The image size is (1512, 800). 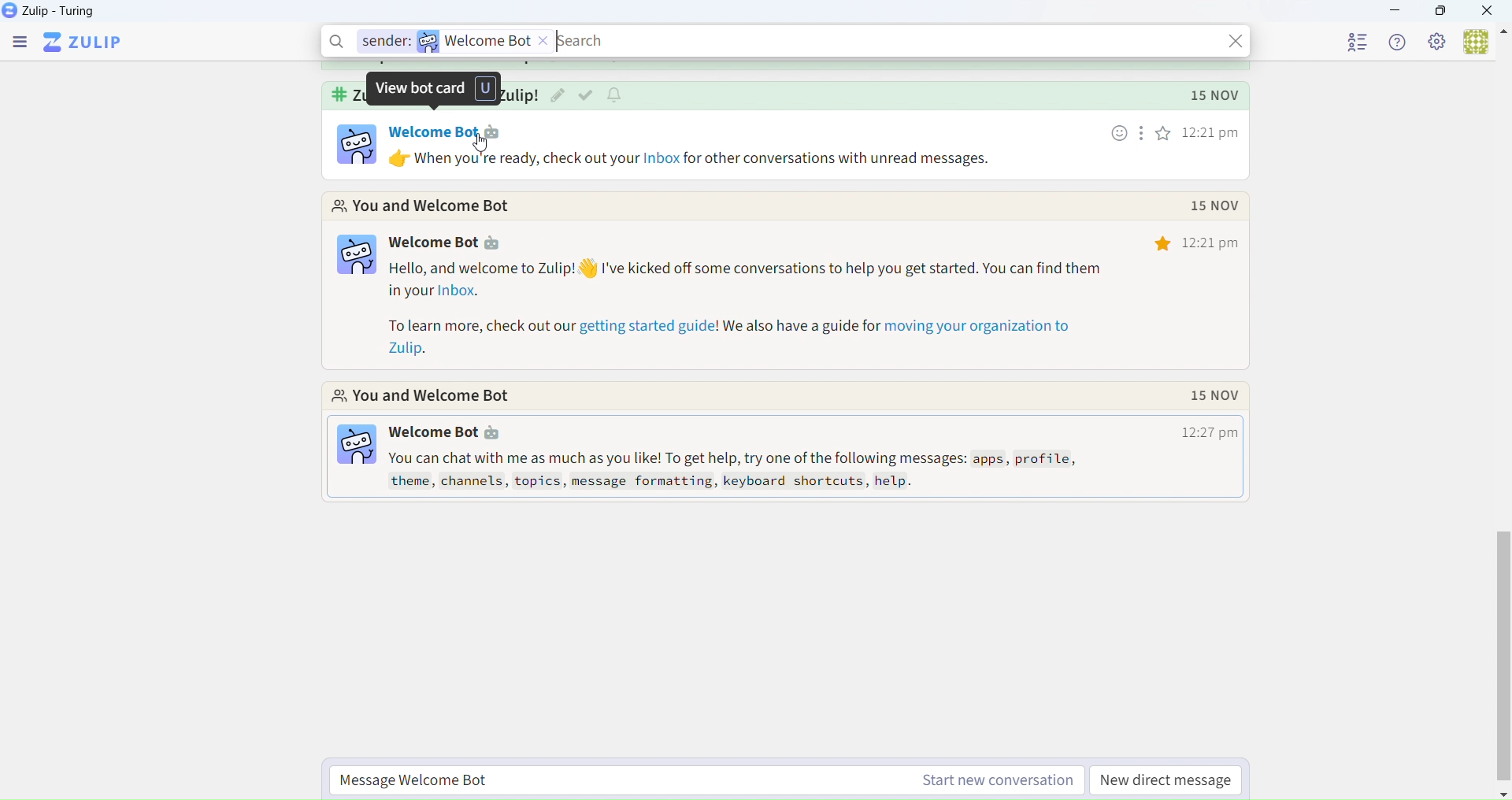 I want to click on edit, so click(x=558, y=97).